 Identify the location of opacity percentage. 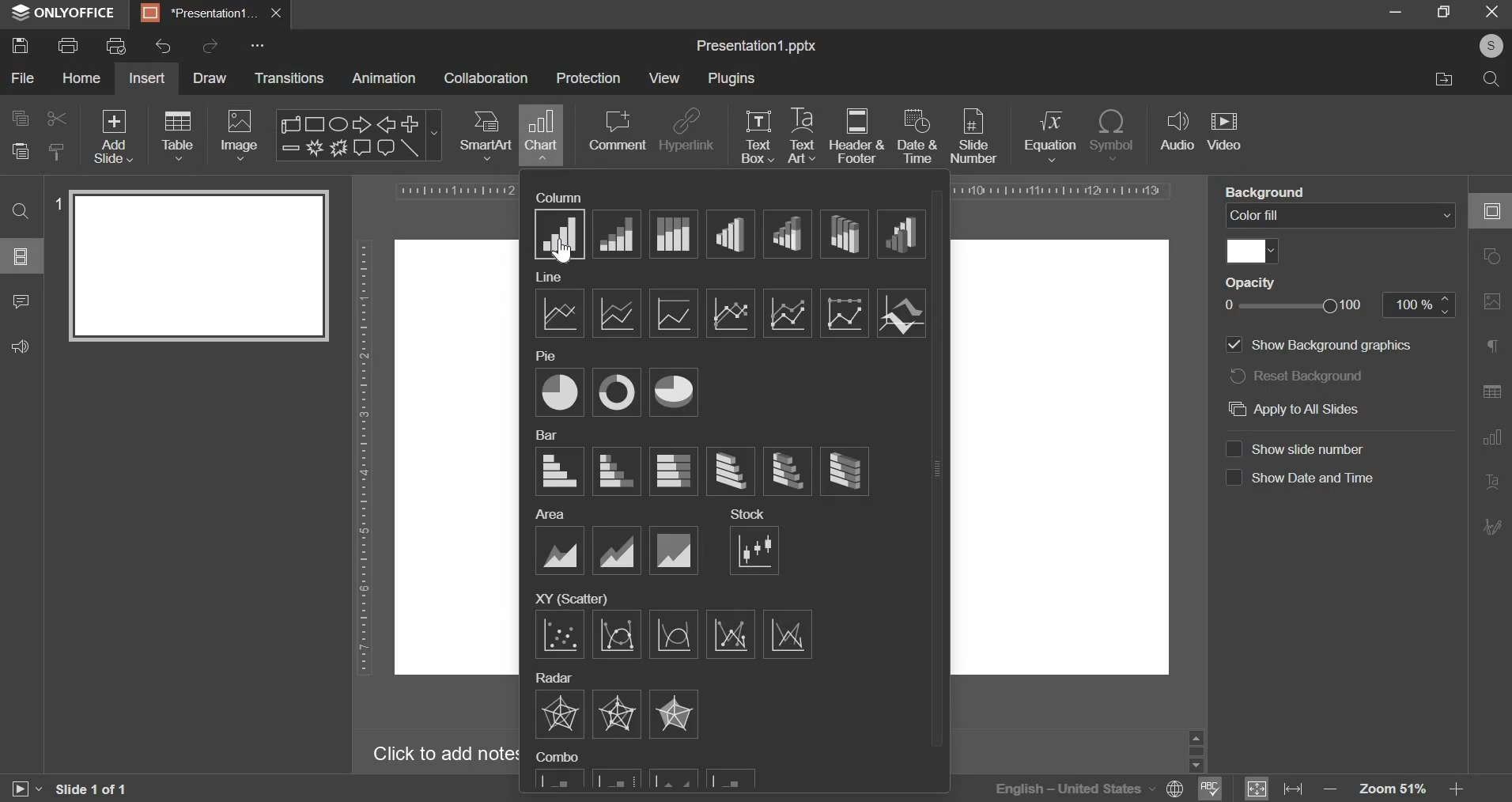
(1419, 305).